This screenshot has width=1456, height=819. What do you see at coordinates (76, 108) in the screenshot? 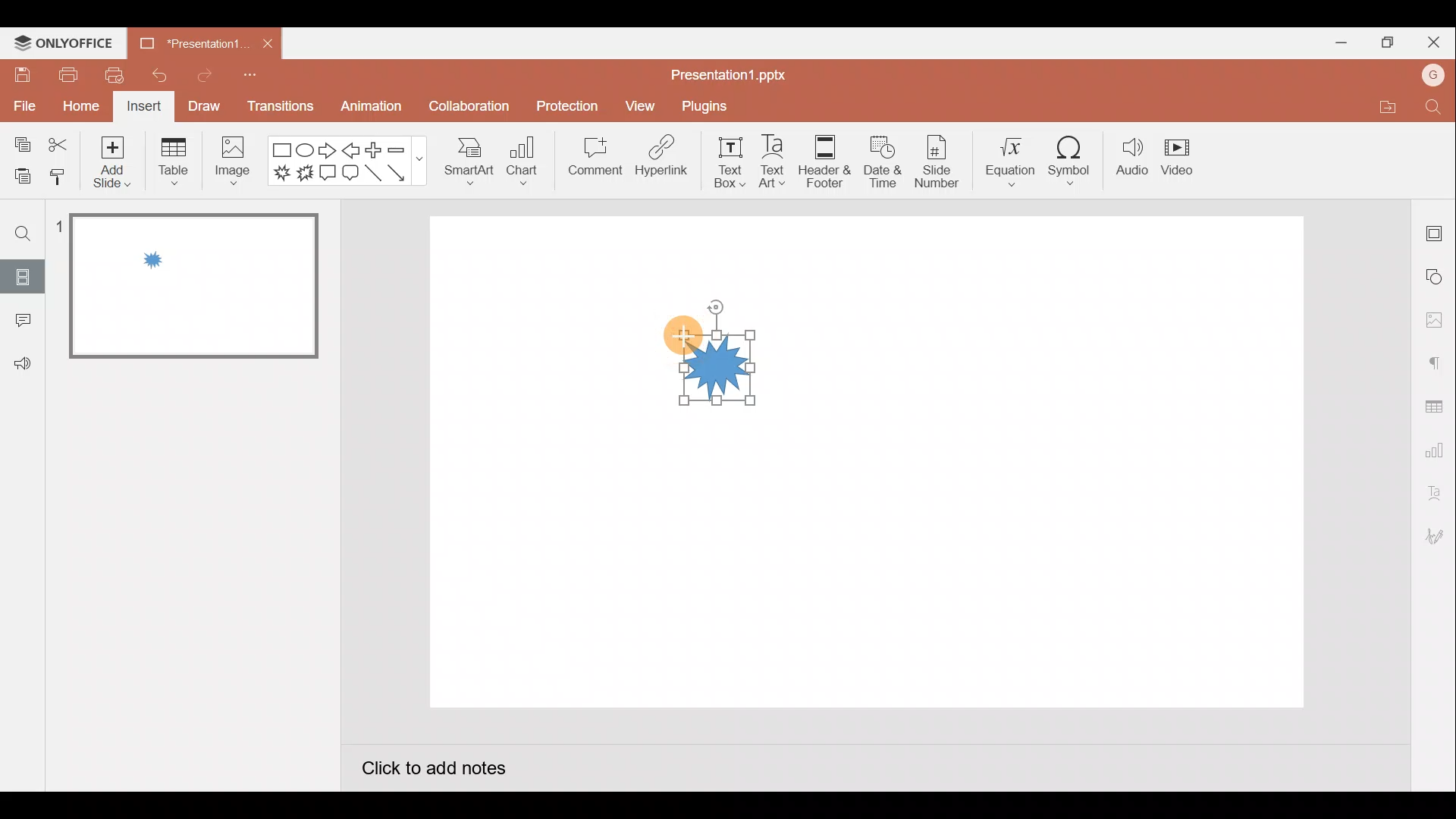
I see `Home` at bounding box center [76, 108].